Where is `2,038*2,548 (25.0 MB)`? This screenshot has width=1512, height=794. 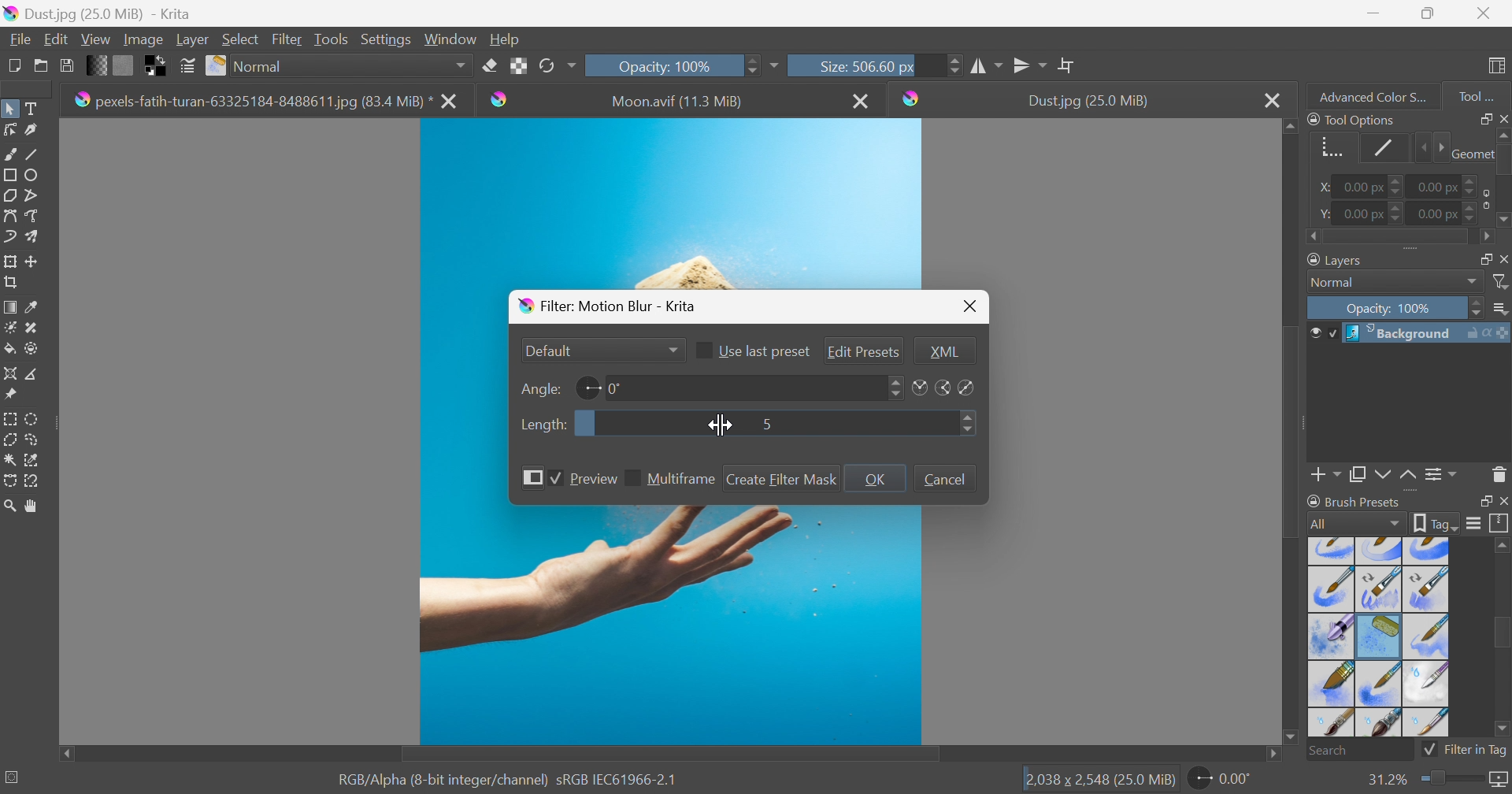 2,038*2,548 (25.0 MB) is located at coordinates (1100, 781).